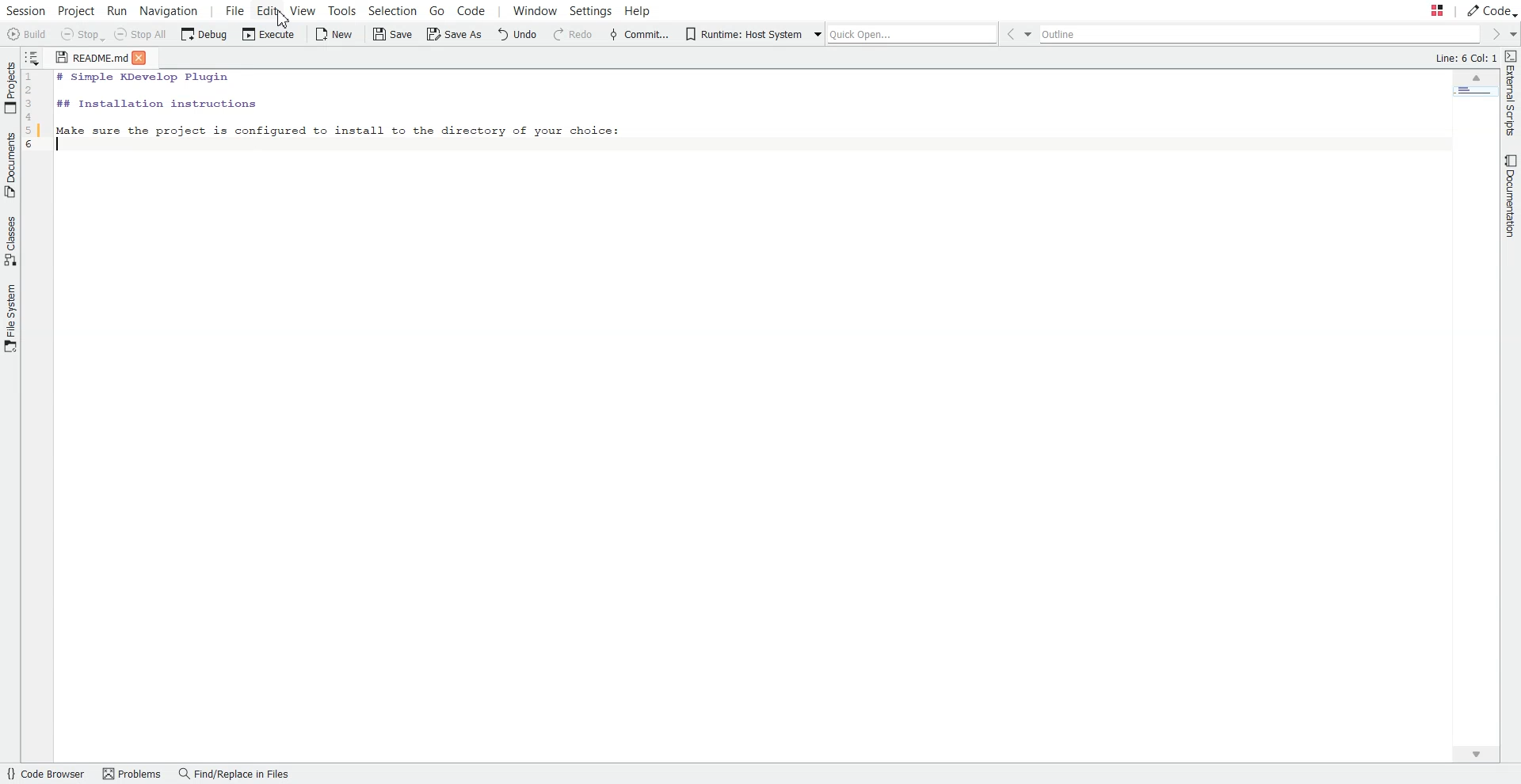 The height and width of the screenshot is (784, 1521). What do you see at coordinates (131, 774) in the screenshot?
I see `Problems` at bounding box center [131, 774].